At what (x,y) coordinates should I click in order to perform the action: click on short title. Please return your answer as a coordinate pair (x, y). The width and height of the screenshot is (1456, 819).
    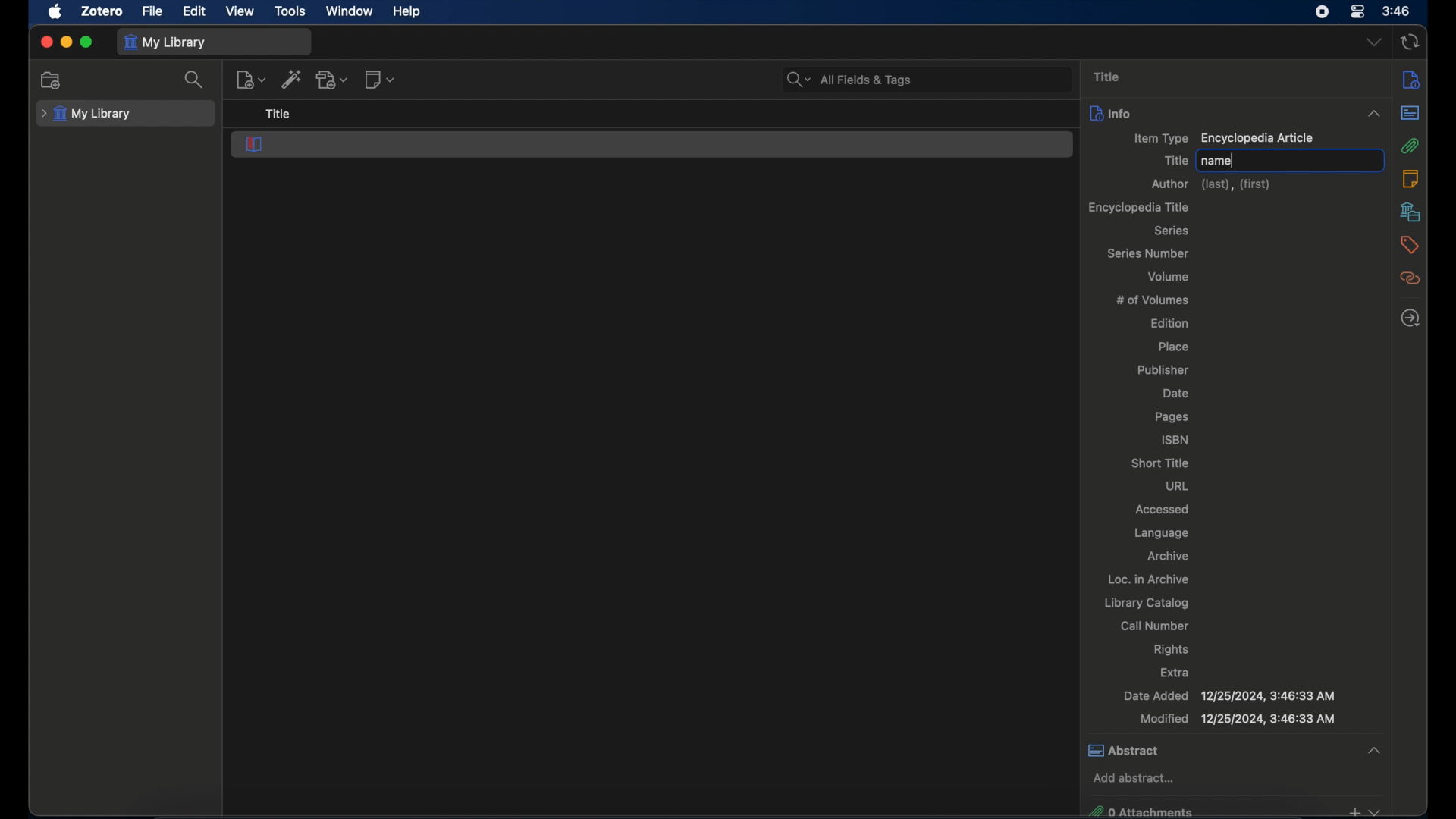
    Looking at the image, I should click on (1161, 463).